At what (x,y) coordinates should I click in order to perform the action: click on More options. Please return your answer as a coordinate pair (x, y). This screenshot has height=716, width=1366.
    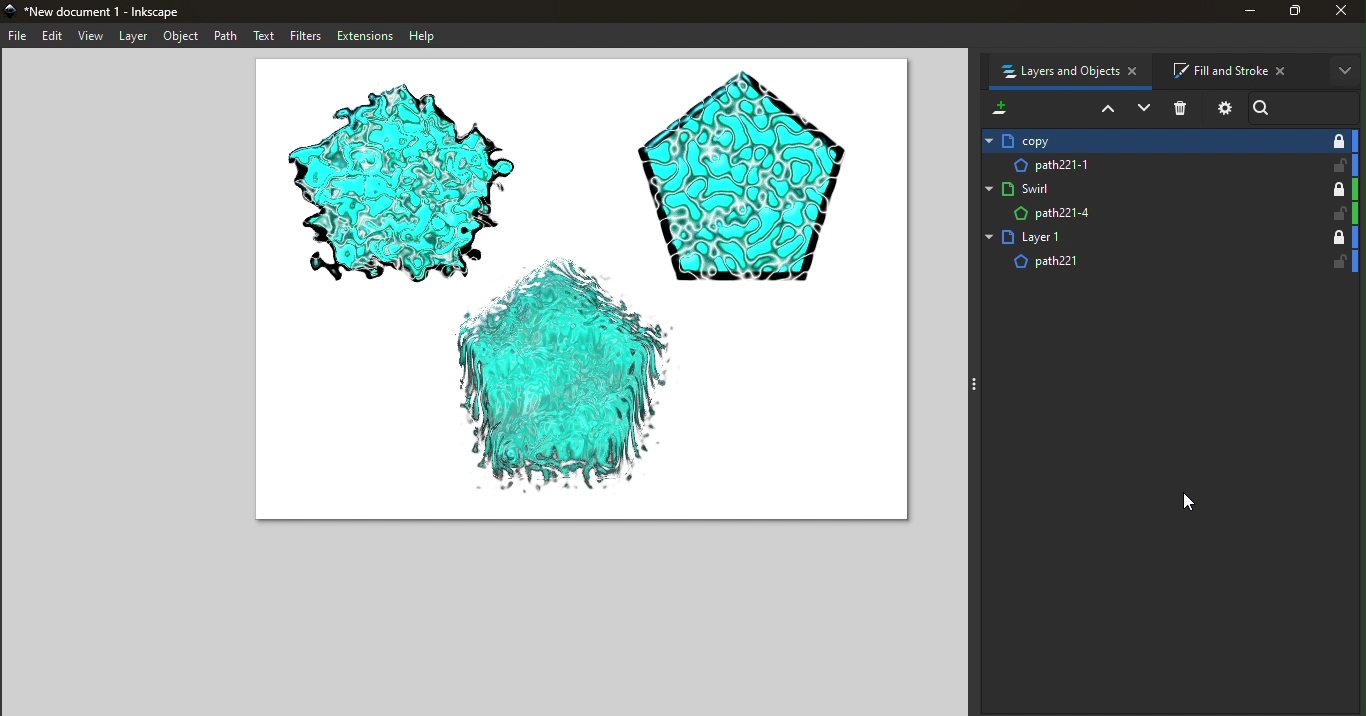
    Looking at the image, I should click on (1345, 71).